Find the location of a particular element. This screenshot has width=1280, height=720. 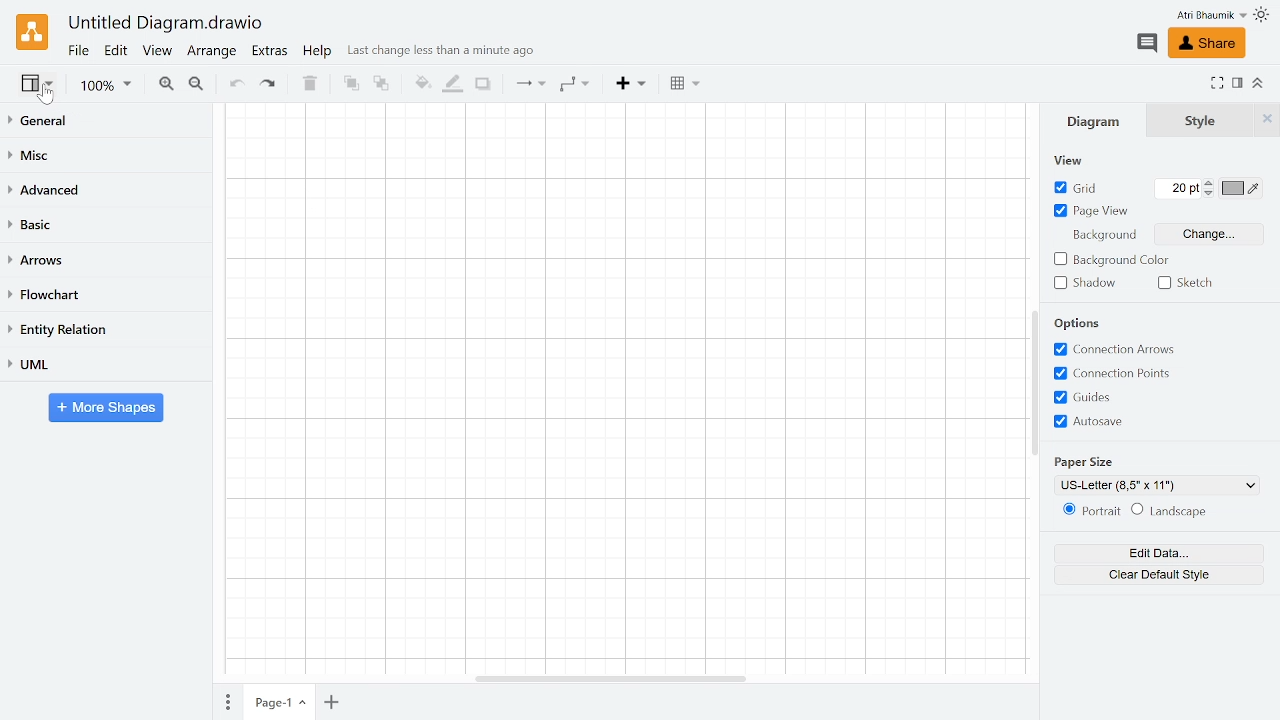

Current grid pt is located at coordinates (1176, 190).